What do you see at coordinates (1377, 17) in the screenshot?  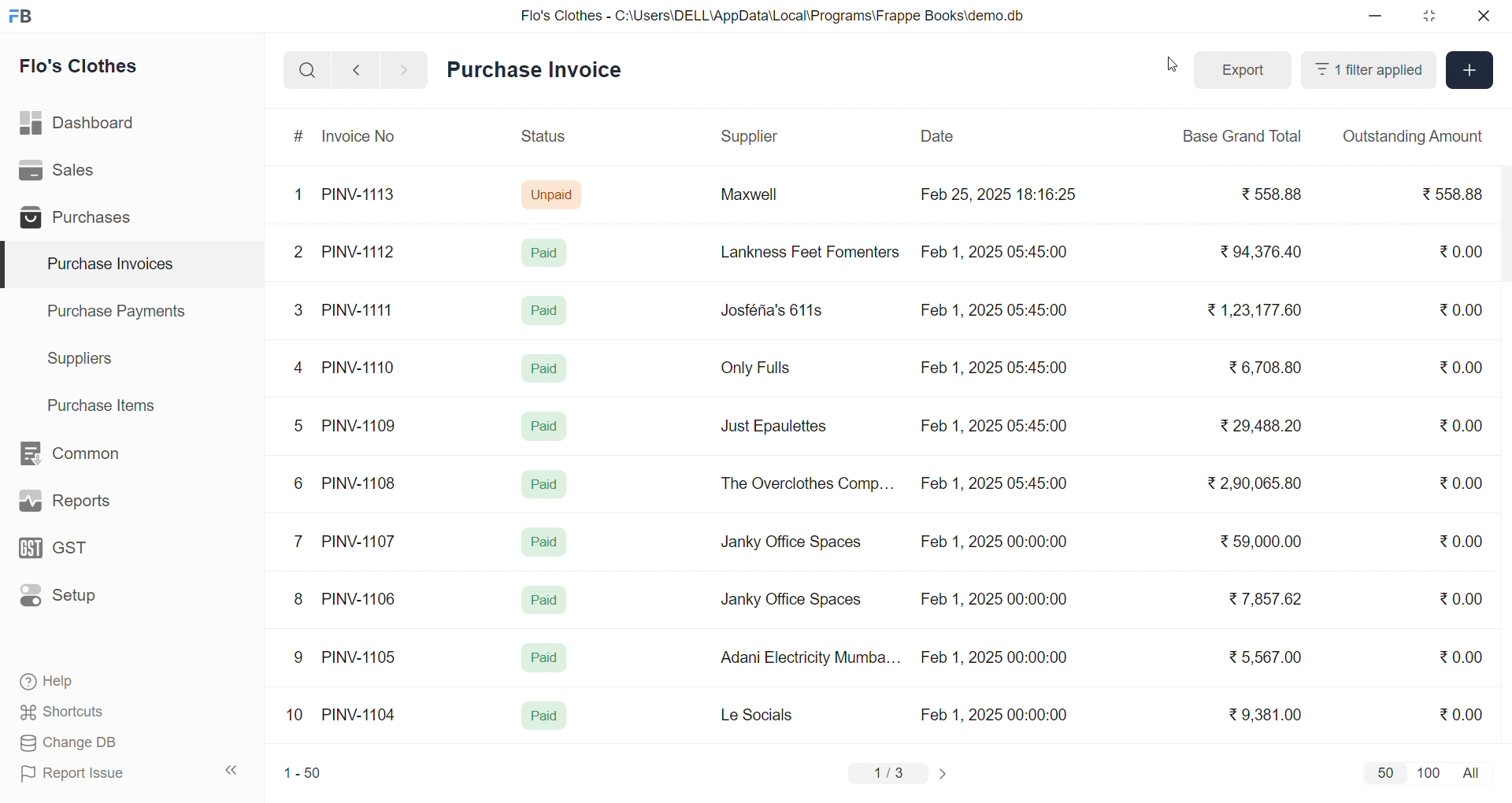 I see `minimize` at bounding box center [1377, 17].